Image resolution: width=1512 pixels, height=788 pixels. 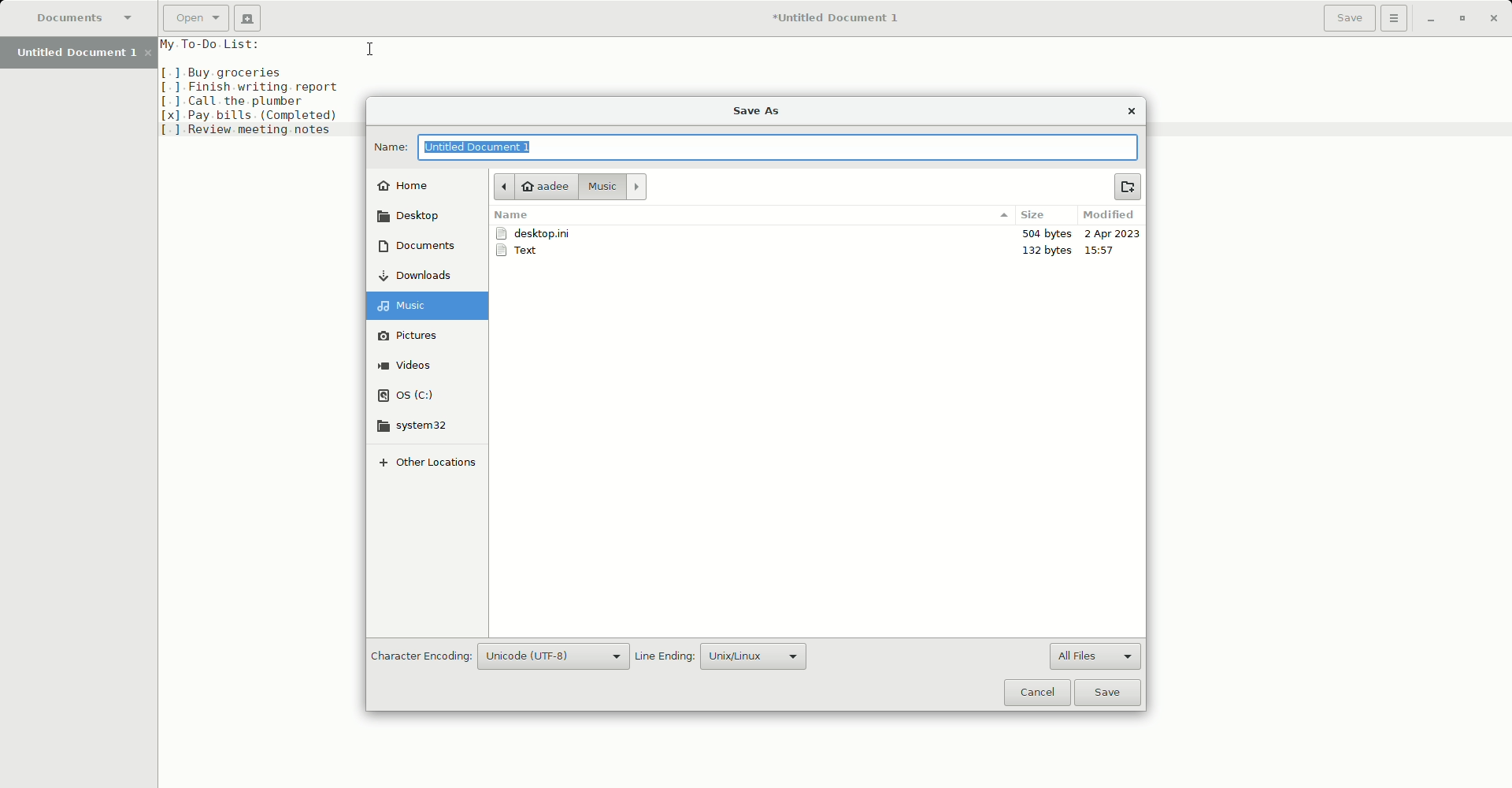 I want to click on 2 Apr, so click(x=1112, y=235).